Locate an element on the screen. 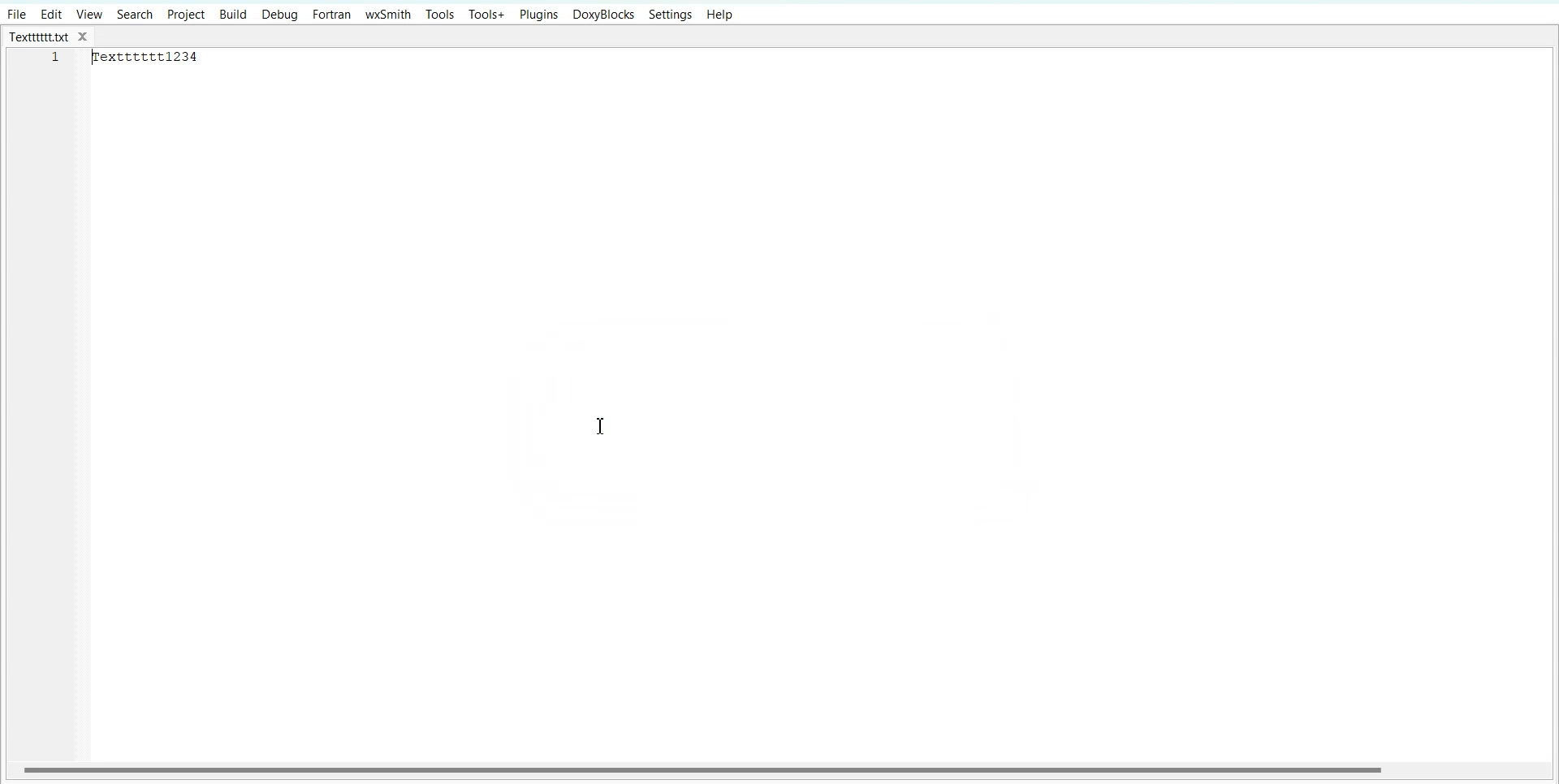  Tools+ is located at coordinates (487, 15).